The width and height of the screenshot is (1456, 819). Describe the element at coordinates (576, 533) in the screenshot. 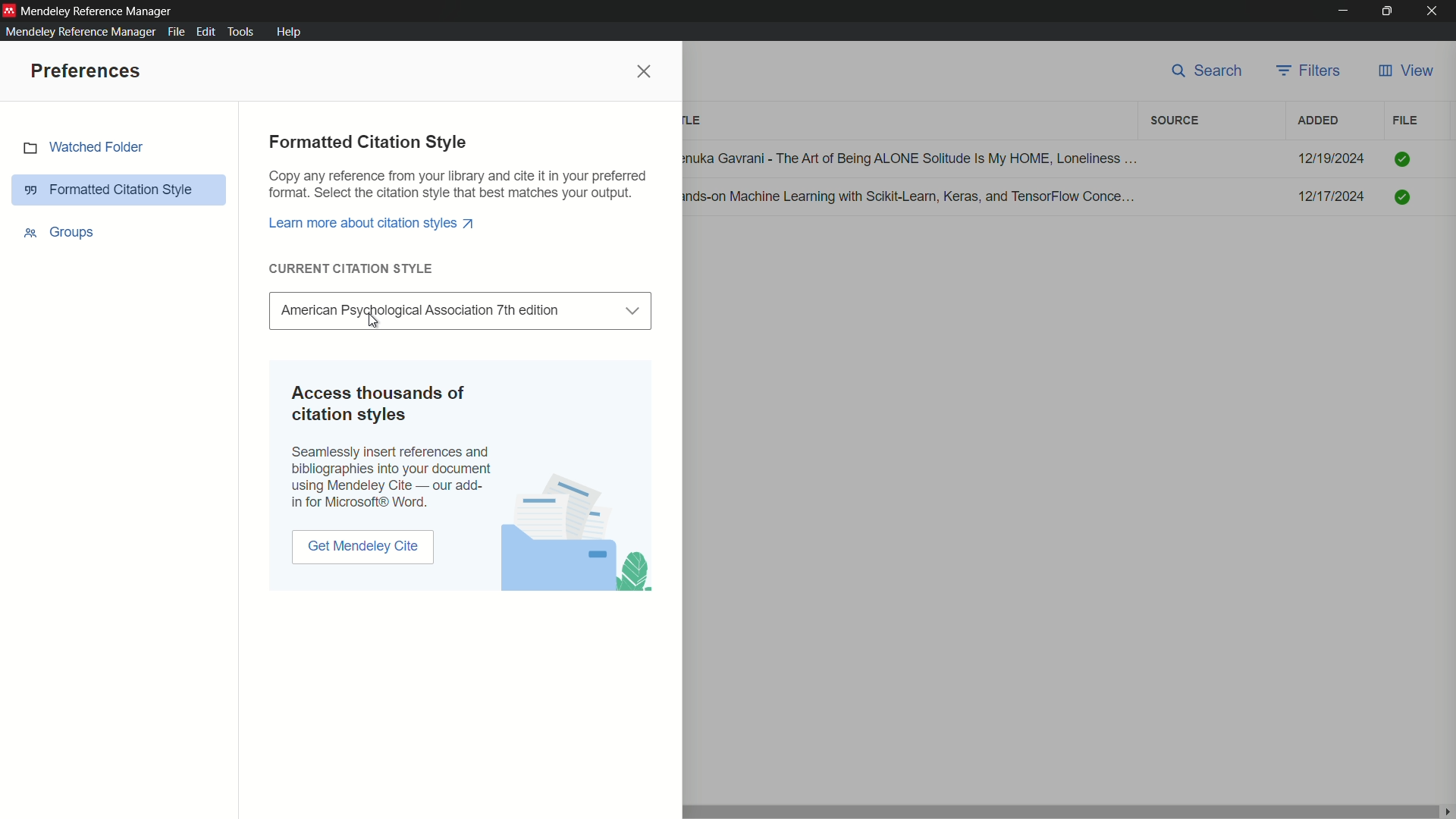

I see `photo` at that location.